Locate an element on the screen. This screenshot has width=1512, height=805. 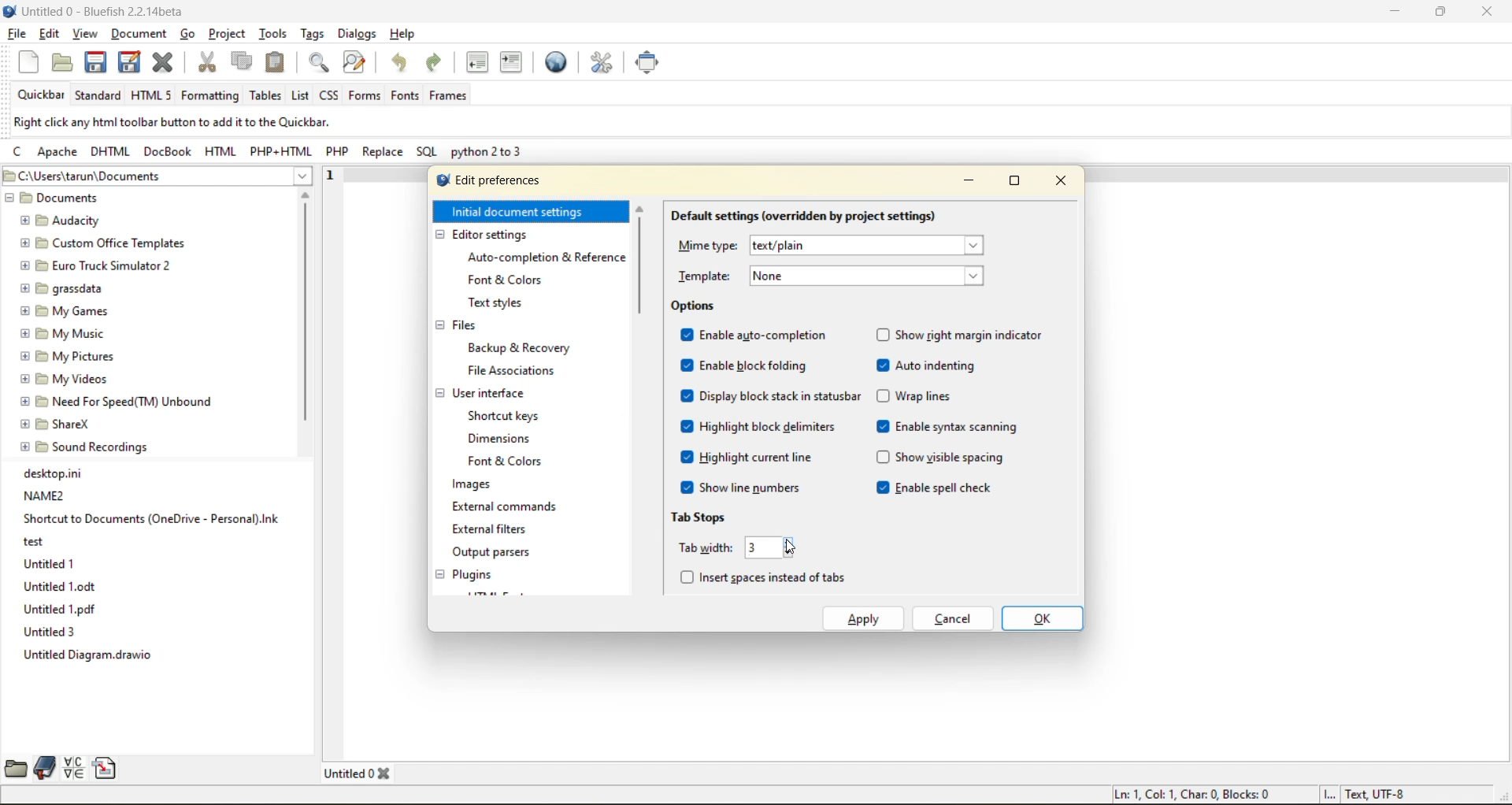
maximize is located at coordinates (1012, 184).